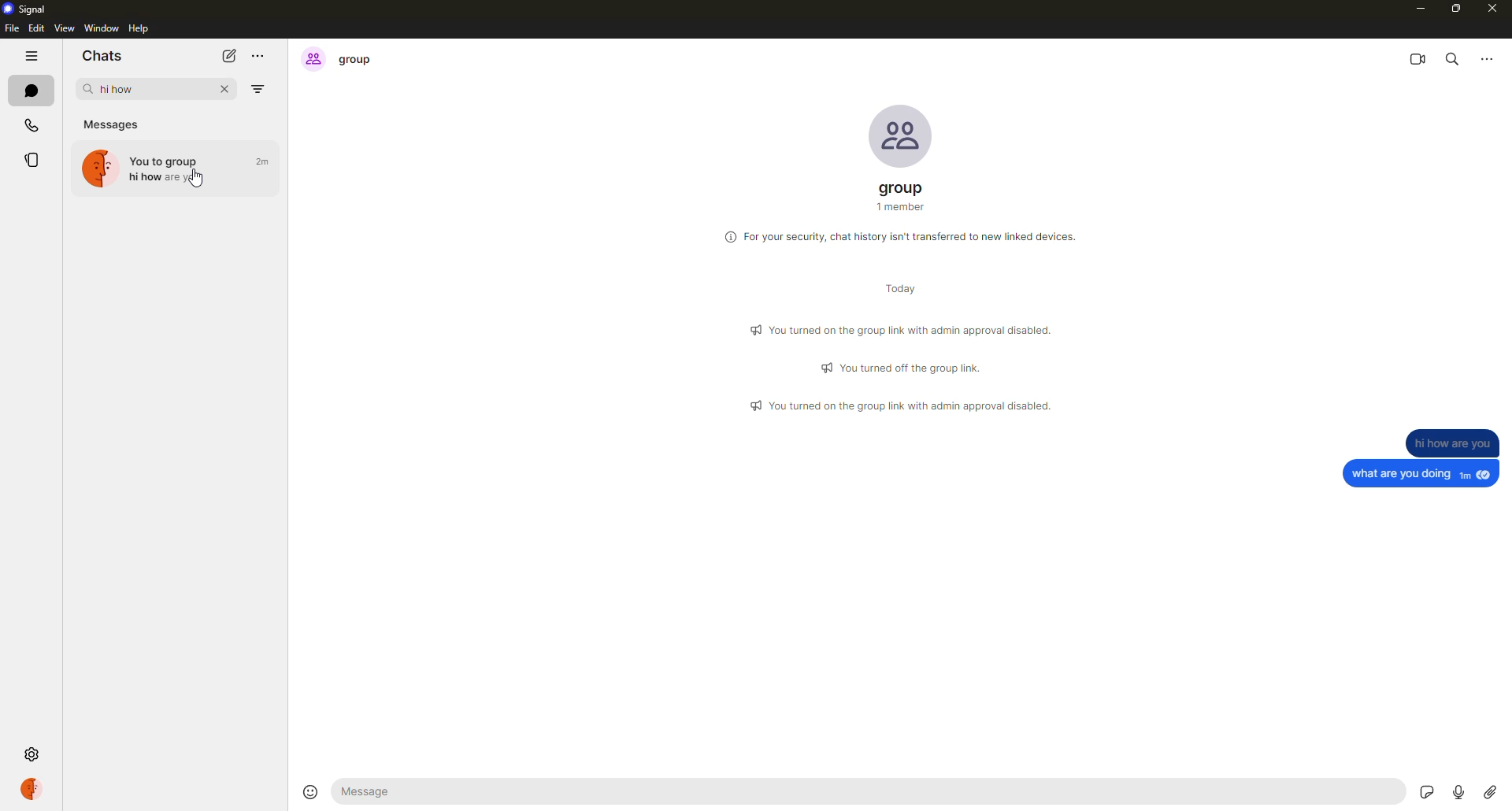 The image size is (1512, 811). What do you see at coordinates (33, 161) in the screenshot?
I see `stories` at bounding box center [33, 161].